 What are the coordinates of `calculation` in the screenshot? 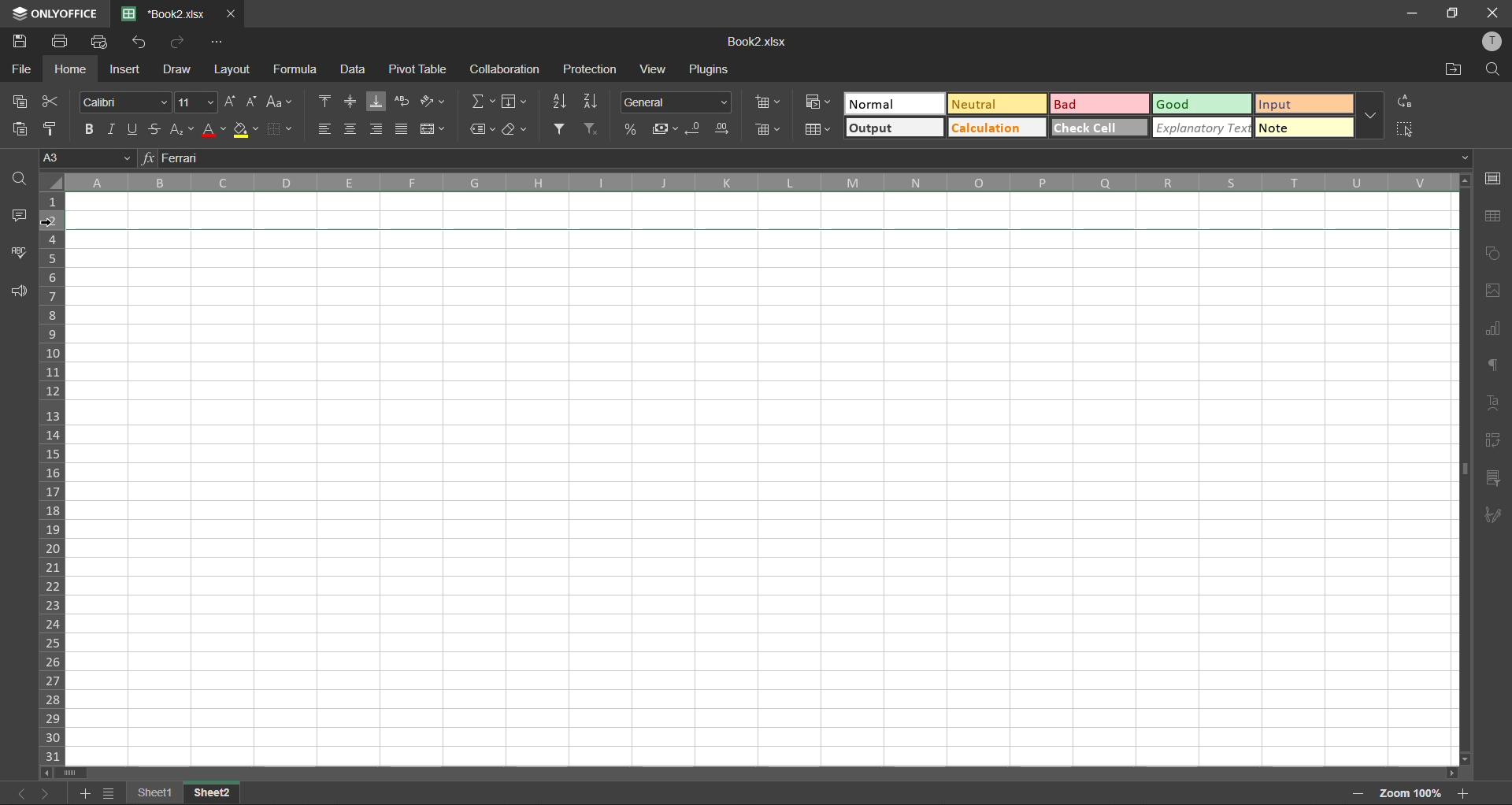 It's located at (995, 128).